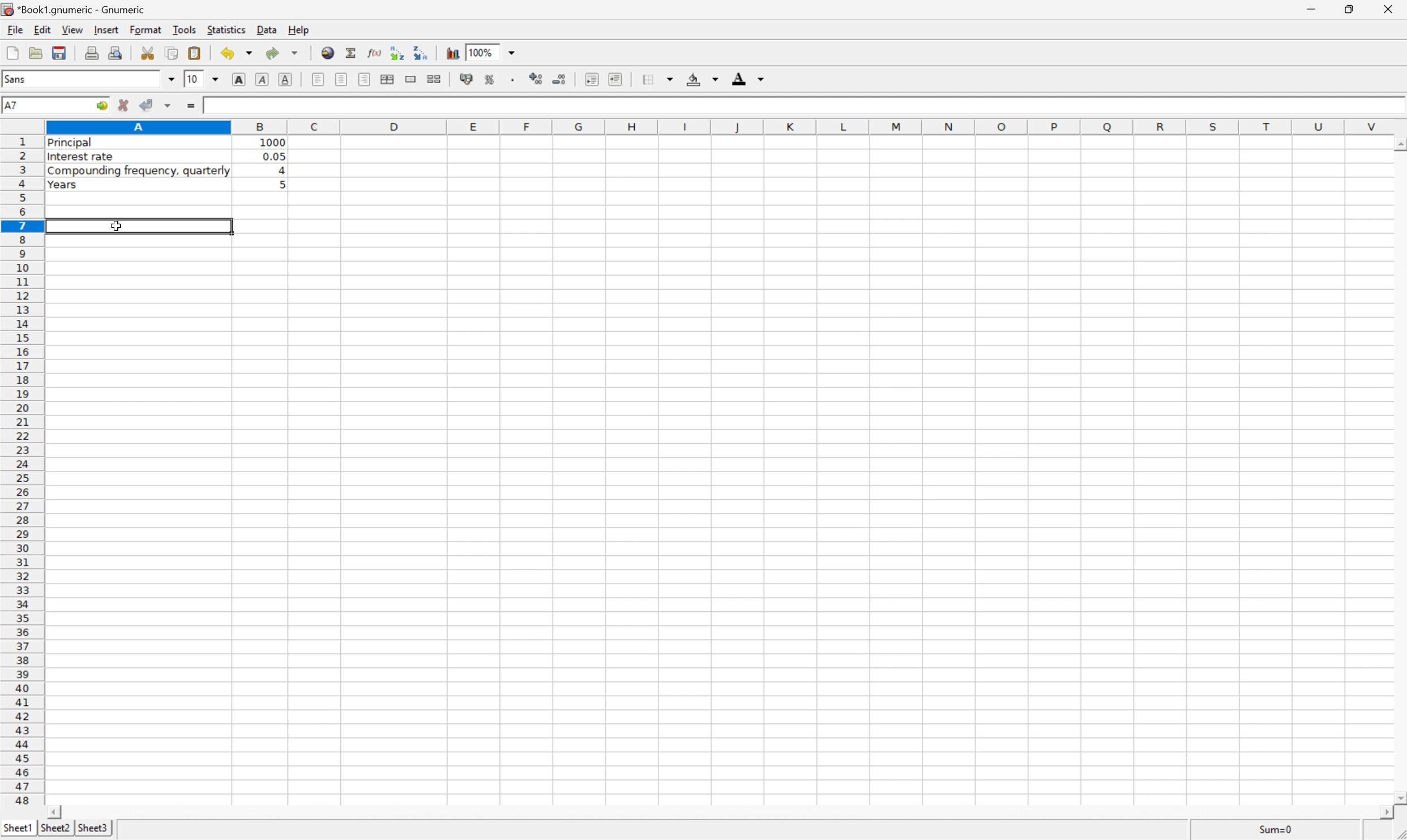 This screenshot has width=1407, height=840. Describe the element at coordinates (71, 29) in the screenshot. I see `view` at that location.